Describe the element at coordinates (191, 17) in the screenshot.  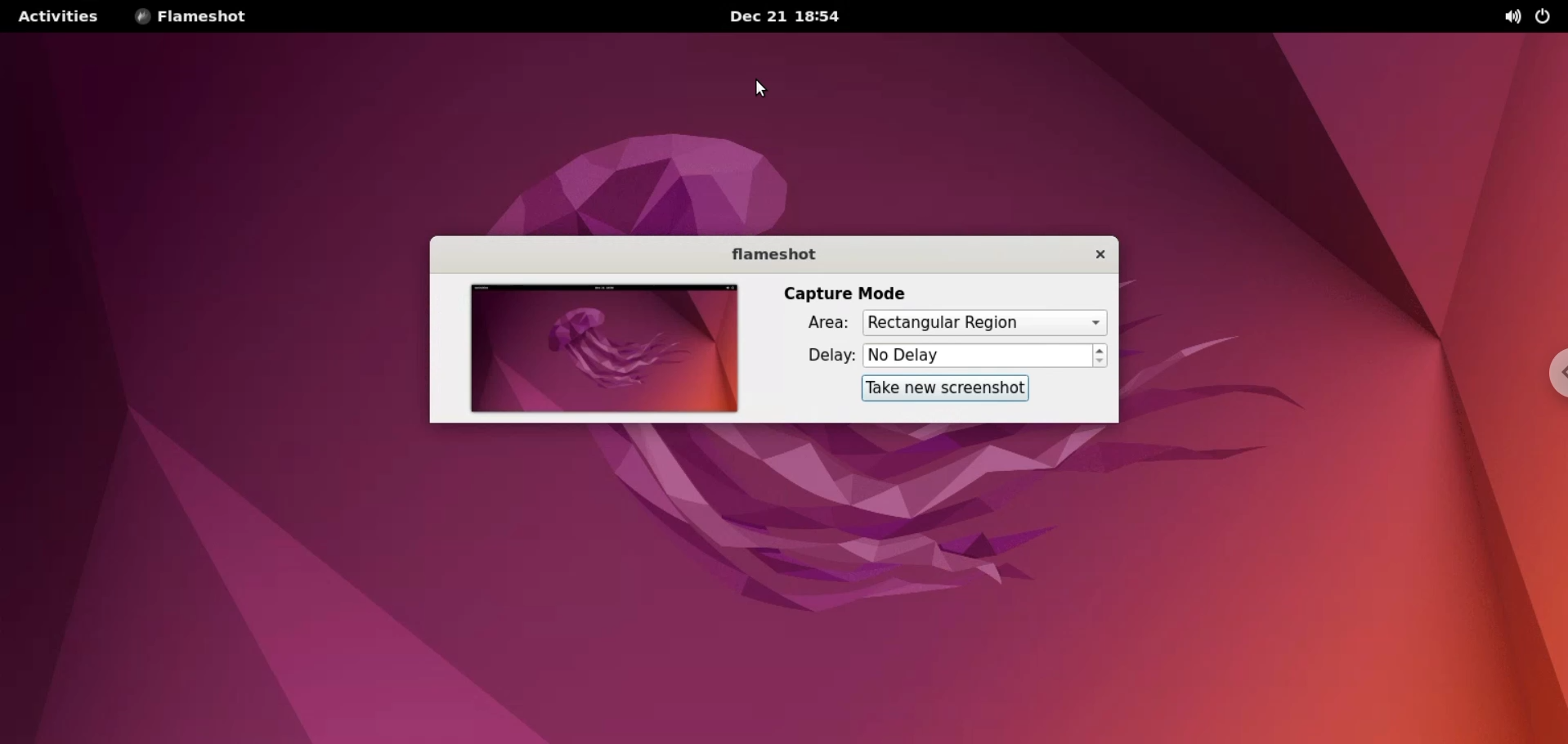
I see `flameshot options` at that location.